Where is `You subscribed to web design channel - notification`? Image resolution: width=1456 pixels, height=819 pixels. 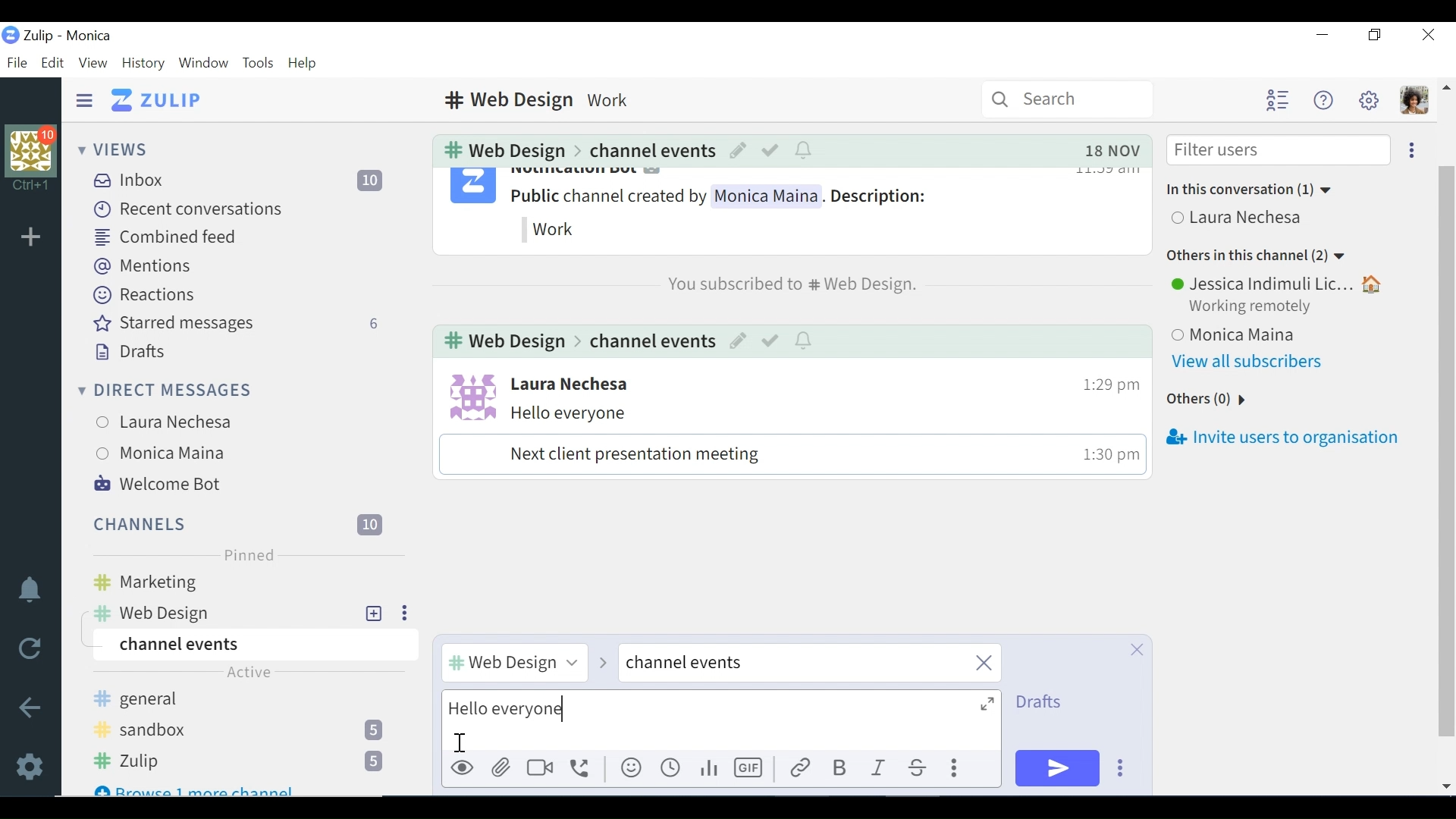
You subscribed to web design channel - notification is located at coordinates (789, 284).